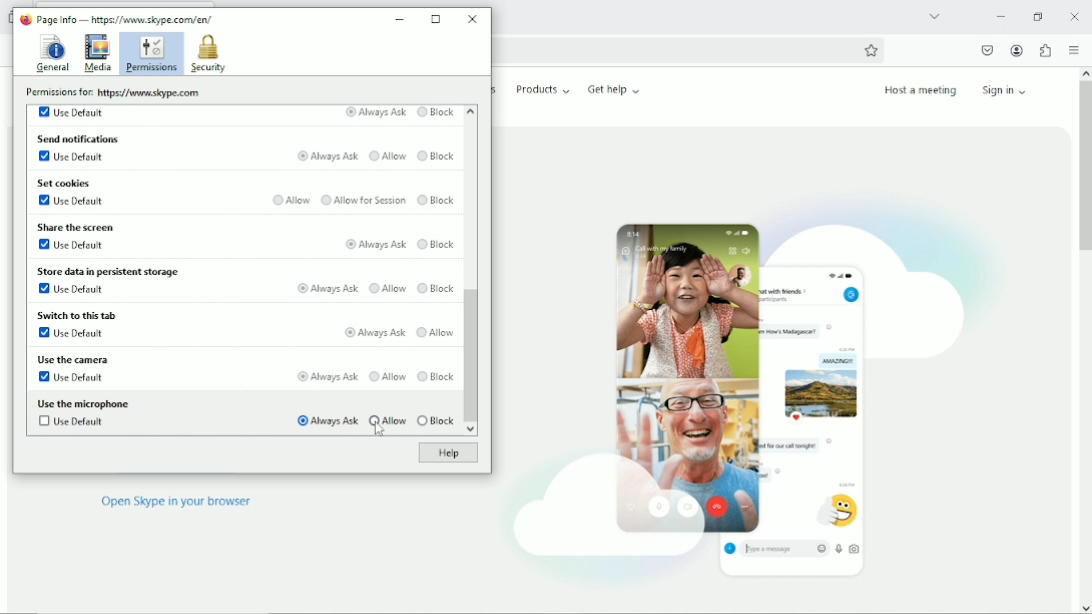 The height and width of the screenshot is (614, 1092). I want to click on scroll down, so click(470, 430).